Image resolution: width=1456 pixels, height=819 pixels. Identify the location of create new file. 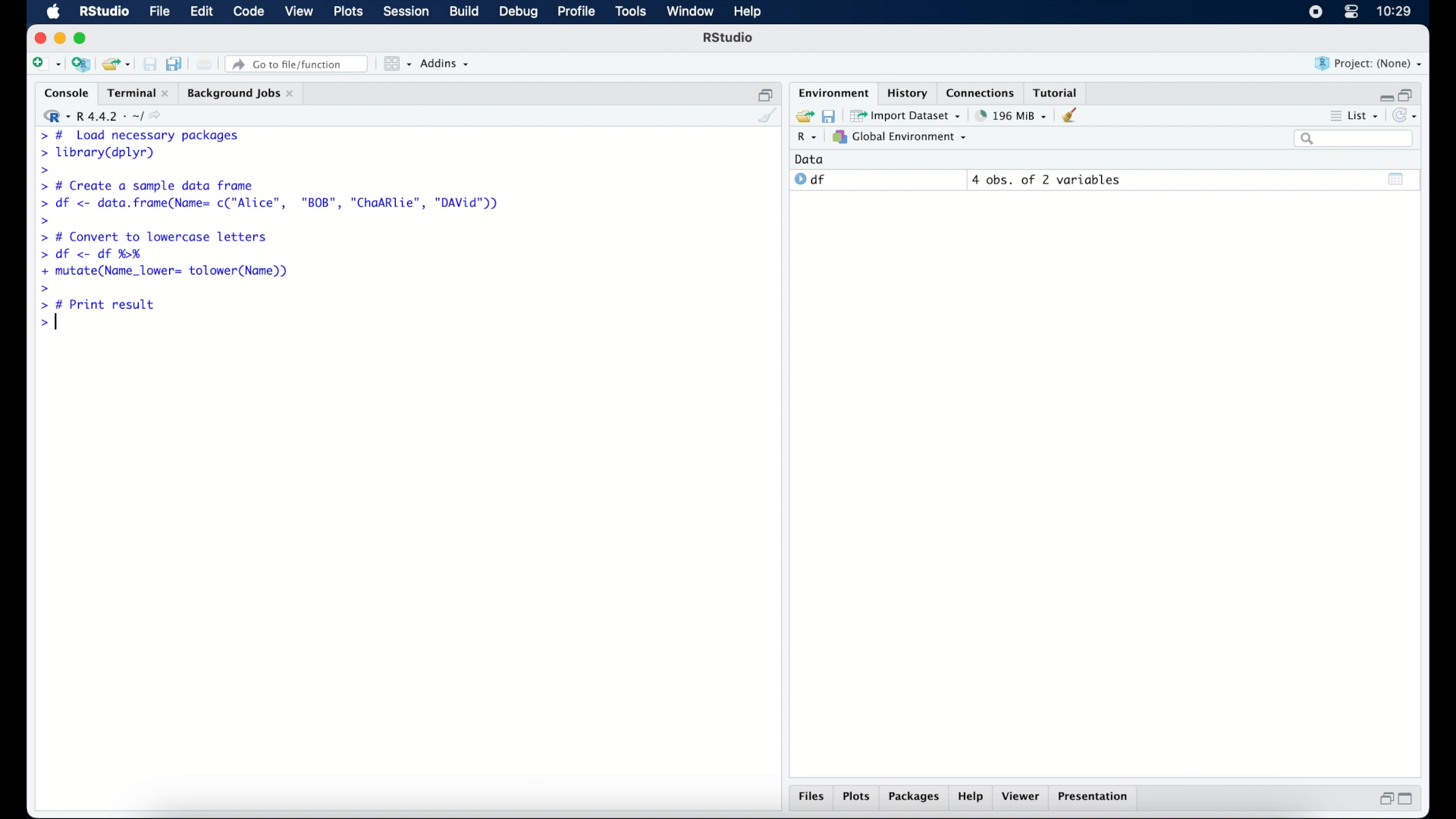
(45, 65).